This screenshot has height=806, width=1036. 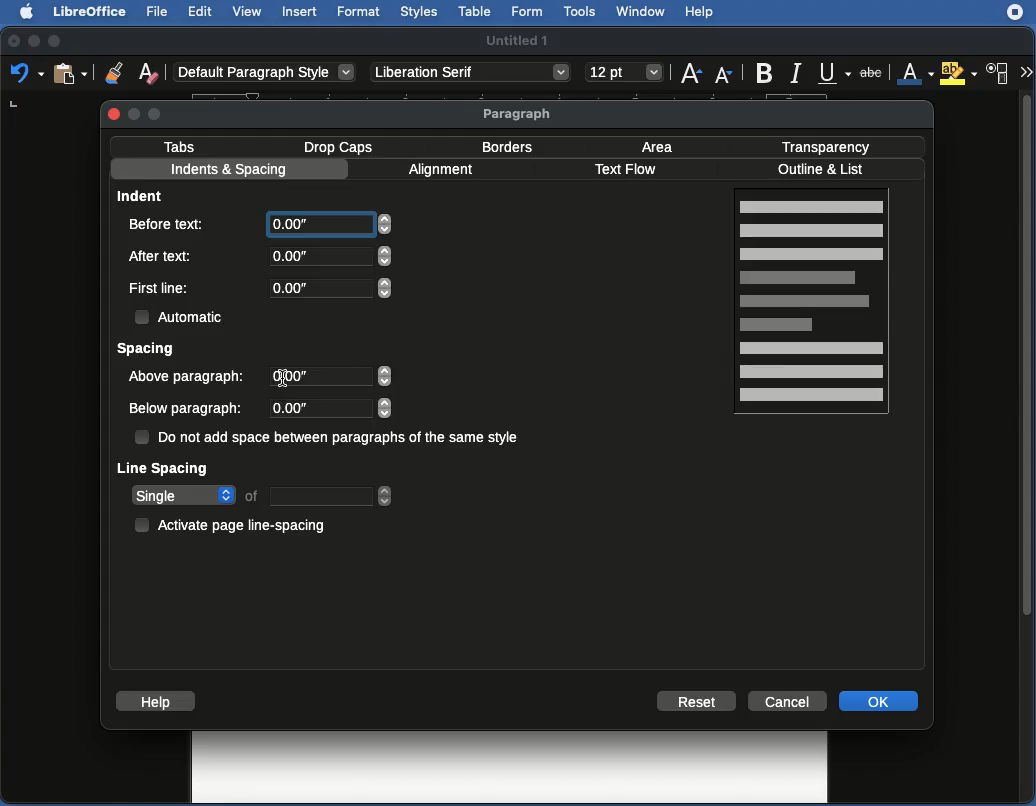 I want to click on Liberation Serif, so click(x=470, y=73).